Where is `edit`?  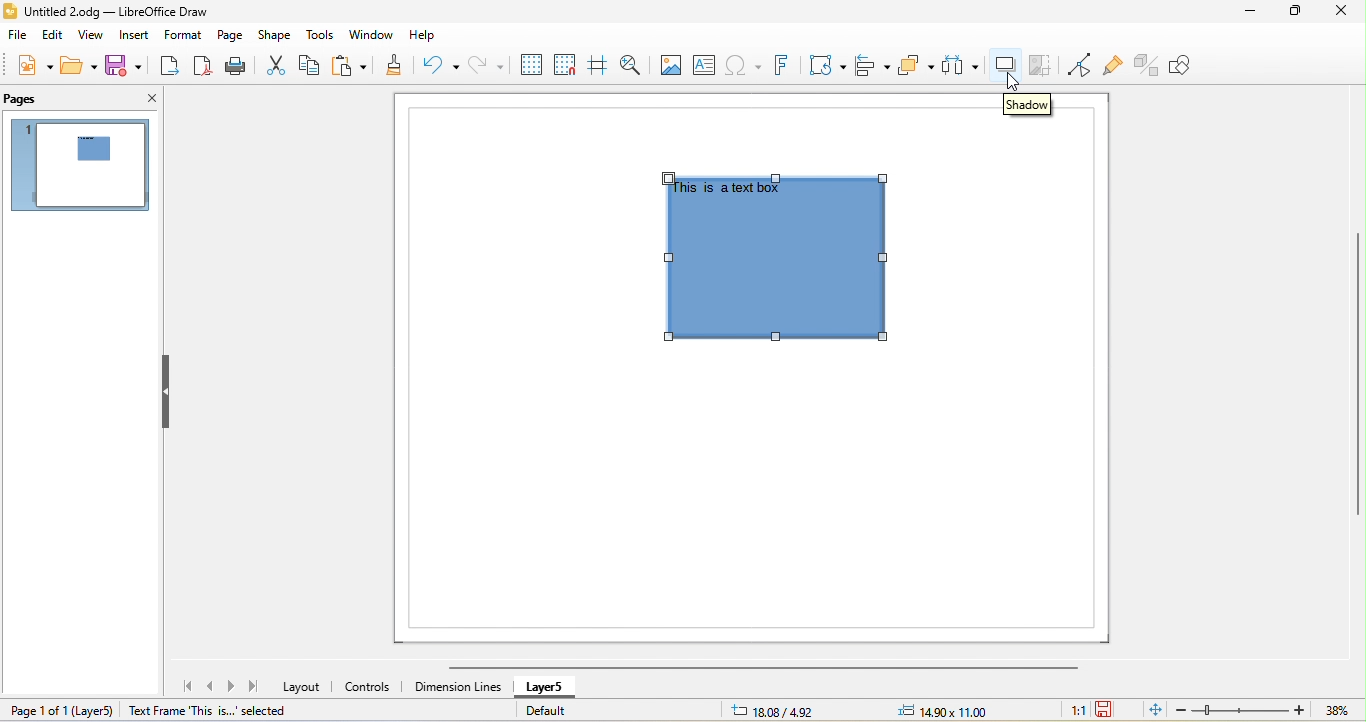 edit is located at coordinates (55, 37).